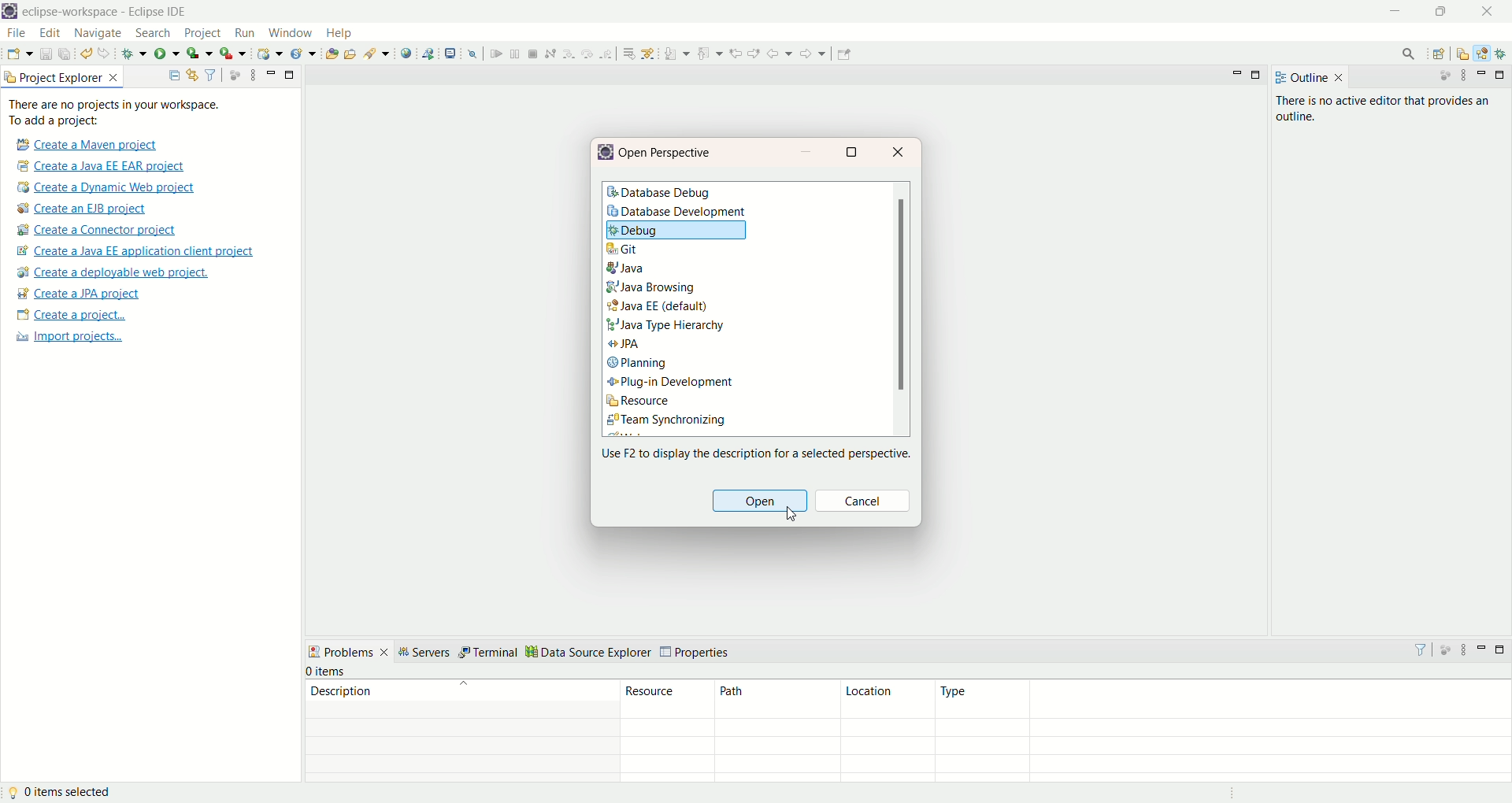 This screenshot has width=1512, height=803. Describe the element at coordinates (847, 54) in the screenshot. I see `pin editor` at that location.